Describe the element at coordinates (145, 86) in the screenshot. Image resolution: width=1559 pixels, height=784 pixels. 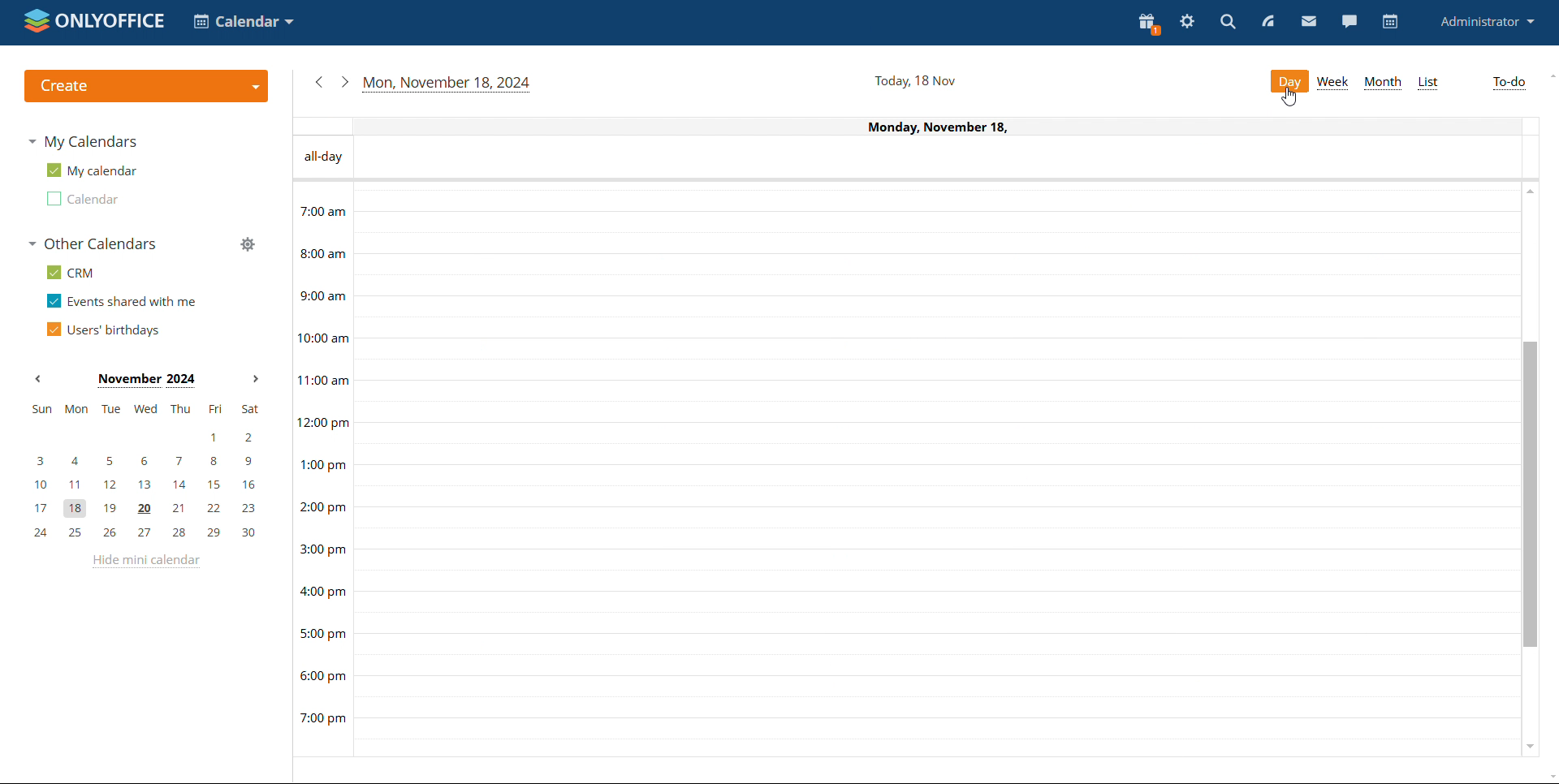
I see `create` at that location.